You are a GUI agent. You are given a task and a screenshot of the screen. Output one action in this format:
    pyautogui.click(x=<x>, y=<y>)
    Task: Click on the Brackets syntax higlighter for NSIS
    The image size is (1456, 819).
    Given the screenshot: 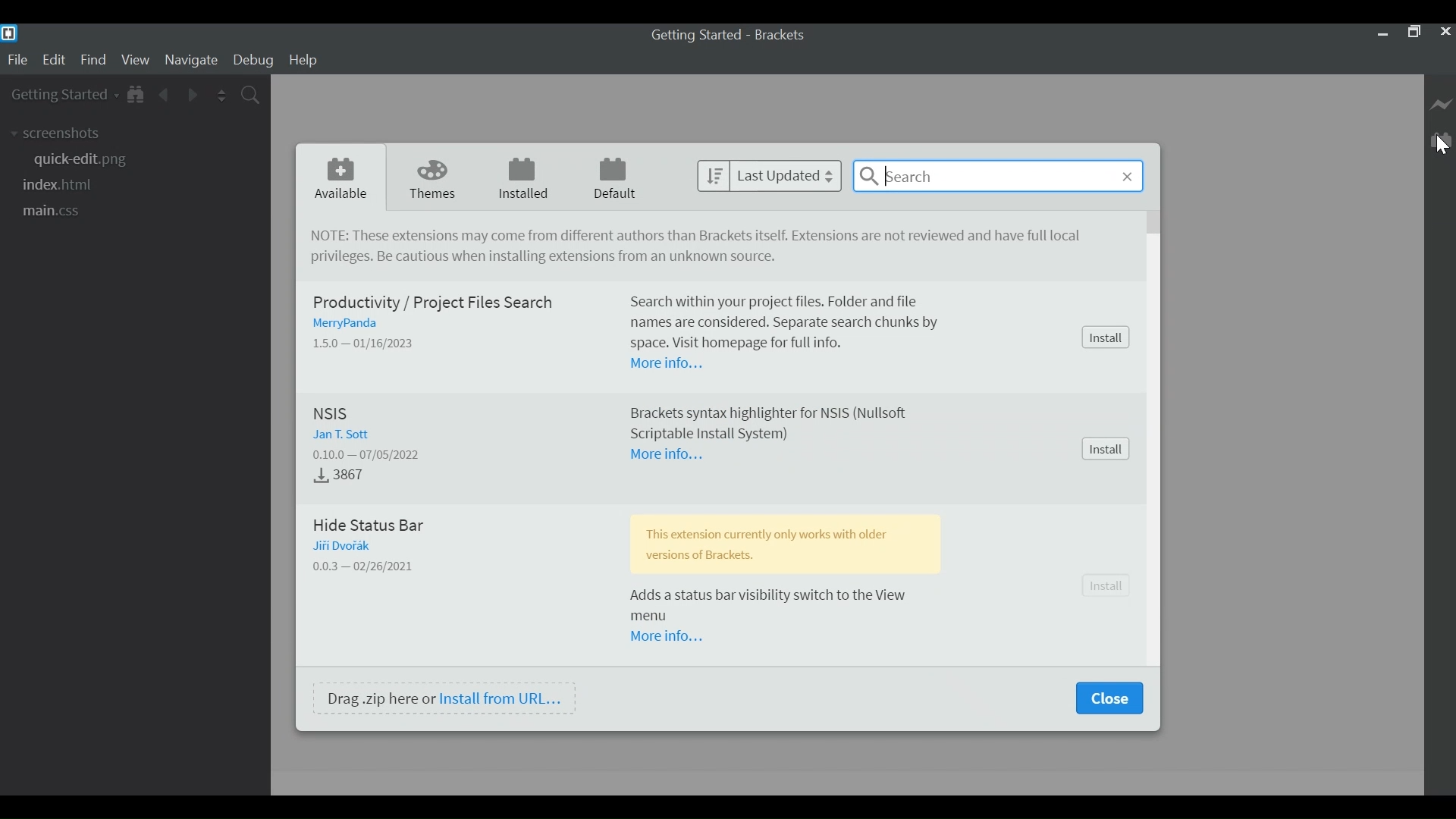 What is the action you would take?
    pyautogui.click(x=776, y=422)
    